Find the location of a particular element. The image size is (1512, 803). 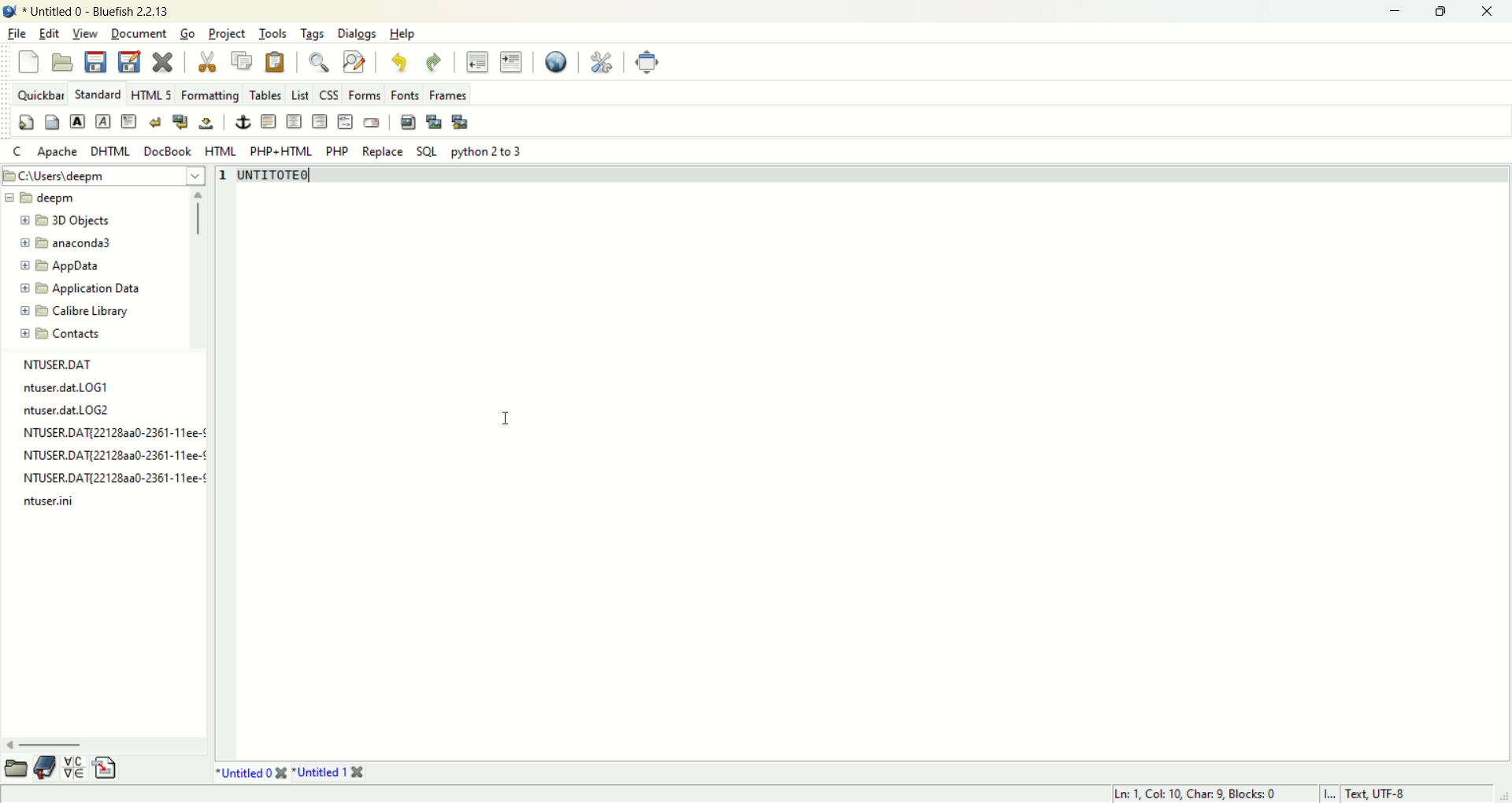

cursor is located at coordinates (503, 420).